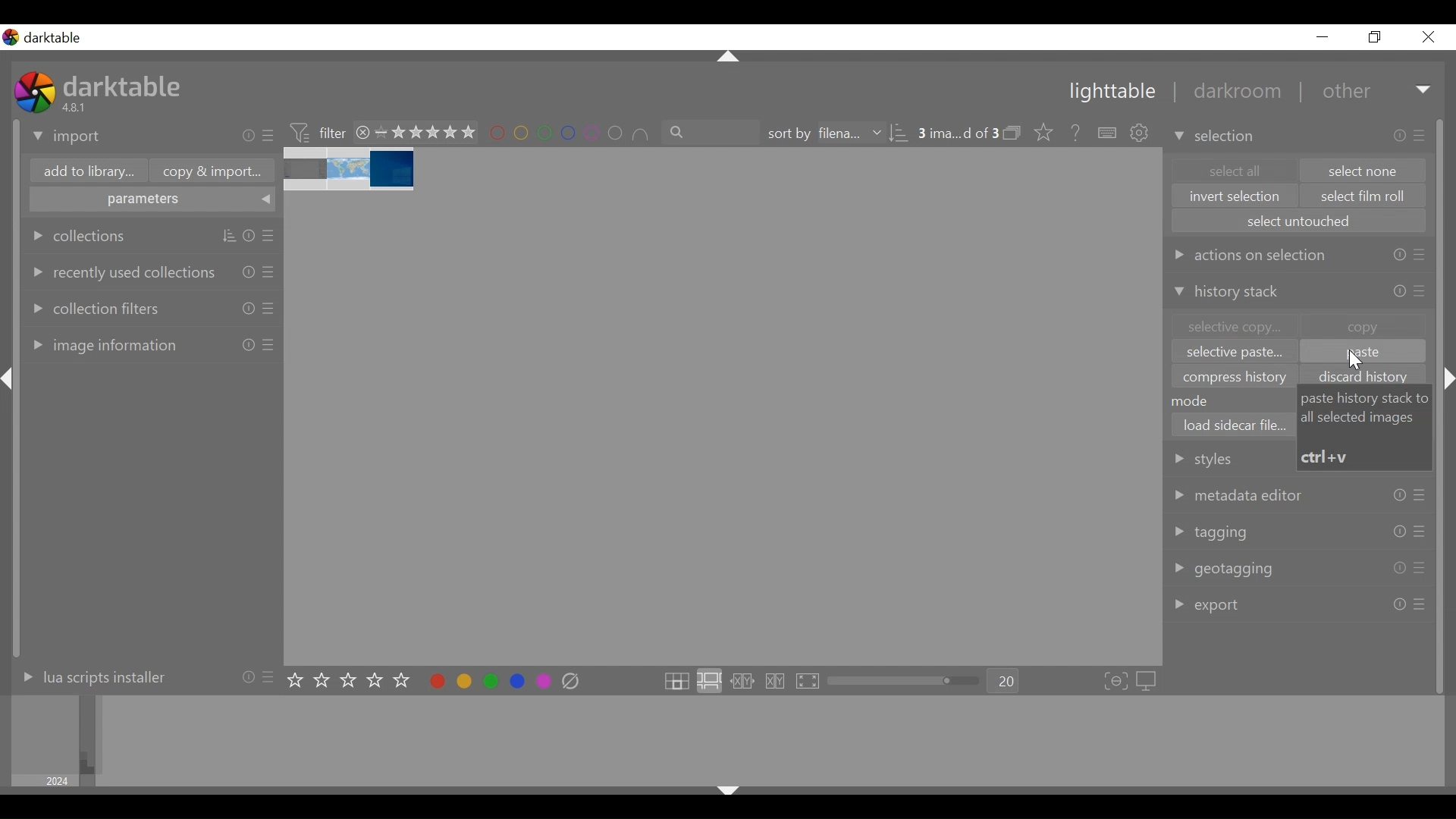 The height and width of the screenshot is (819, 1456). Describe the element at coordinates (1450, 379) in the screenshot. I see `Collapse ` at that location.